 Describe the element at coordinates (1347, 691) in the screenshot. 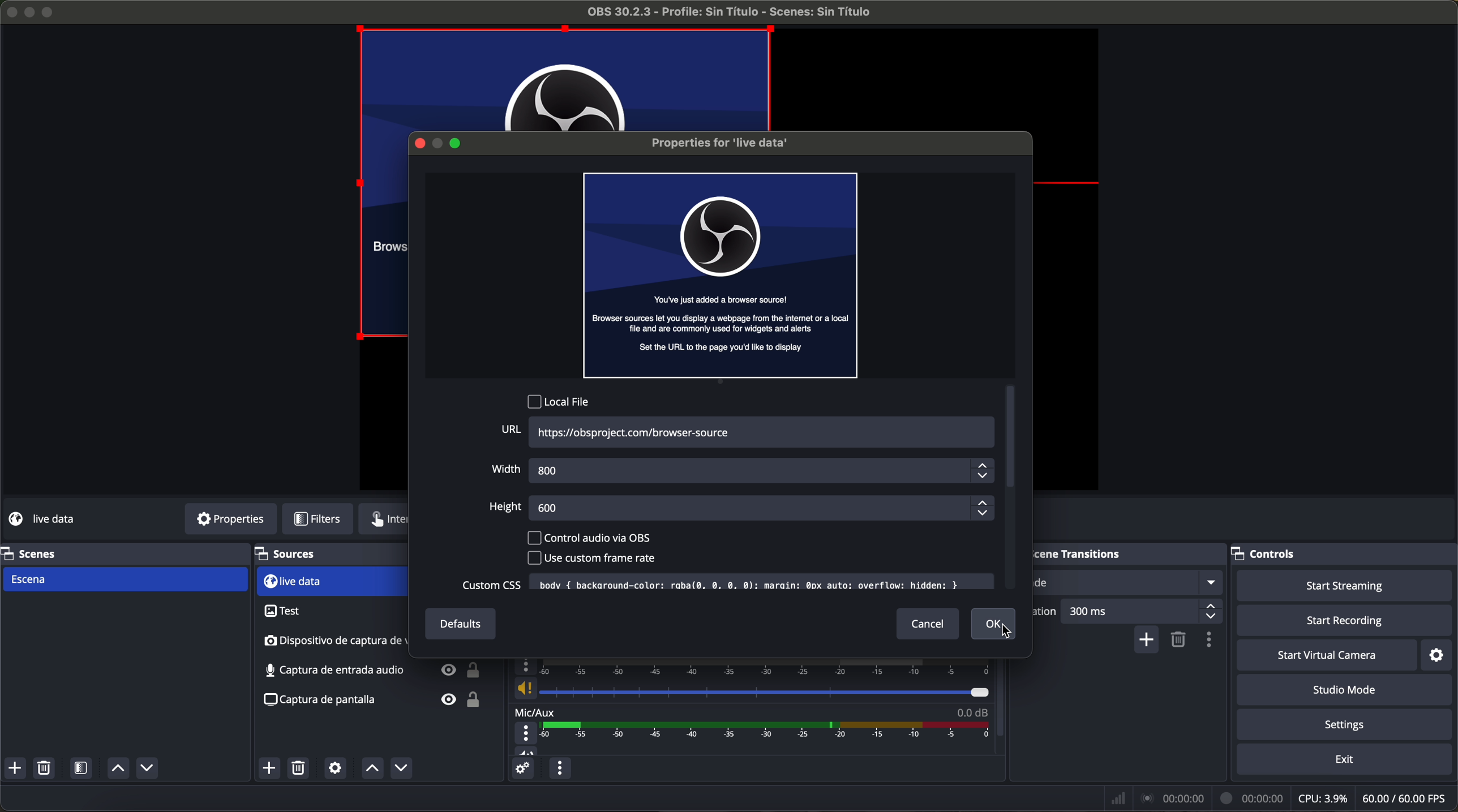

I see `studio mode` at that location.